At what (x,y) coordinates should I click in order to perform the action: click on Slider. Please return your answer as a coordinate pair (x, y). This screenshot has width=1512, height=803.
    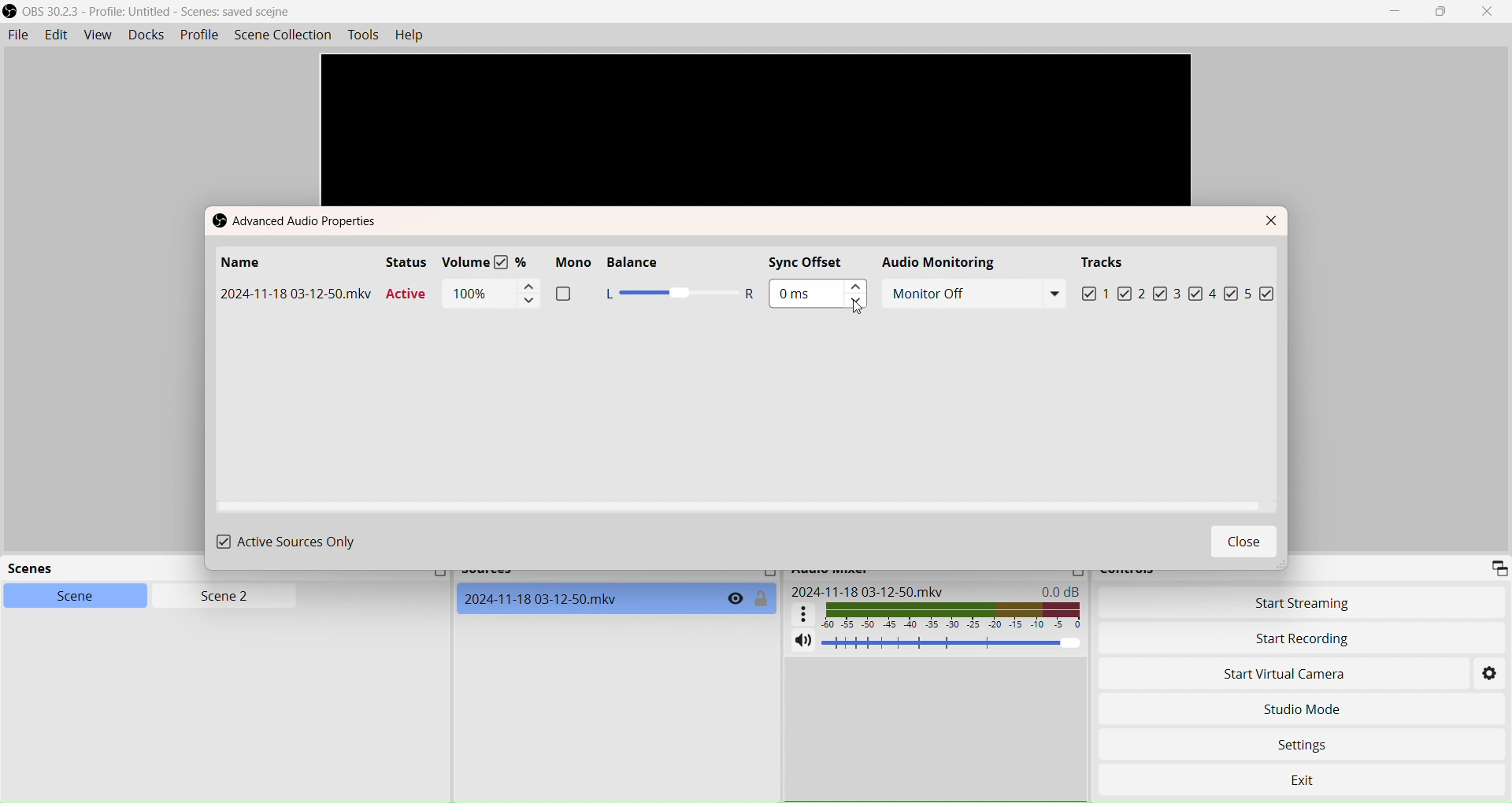
    Looking at the image, I should click on (680, 294).